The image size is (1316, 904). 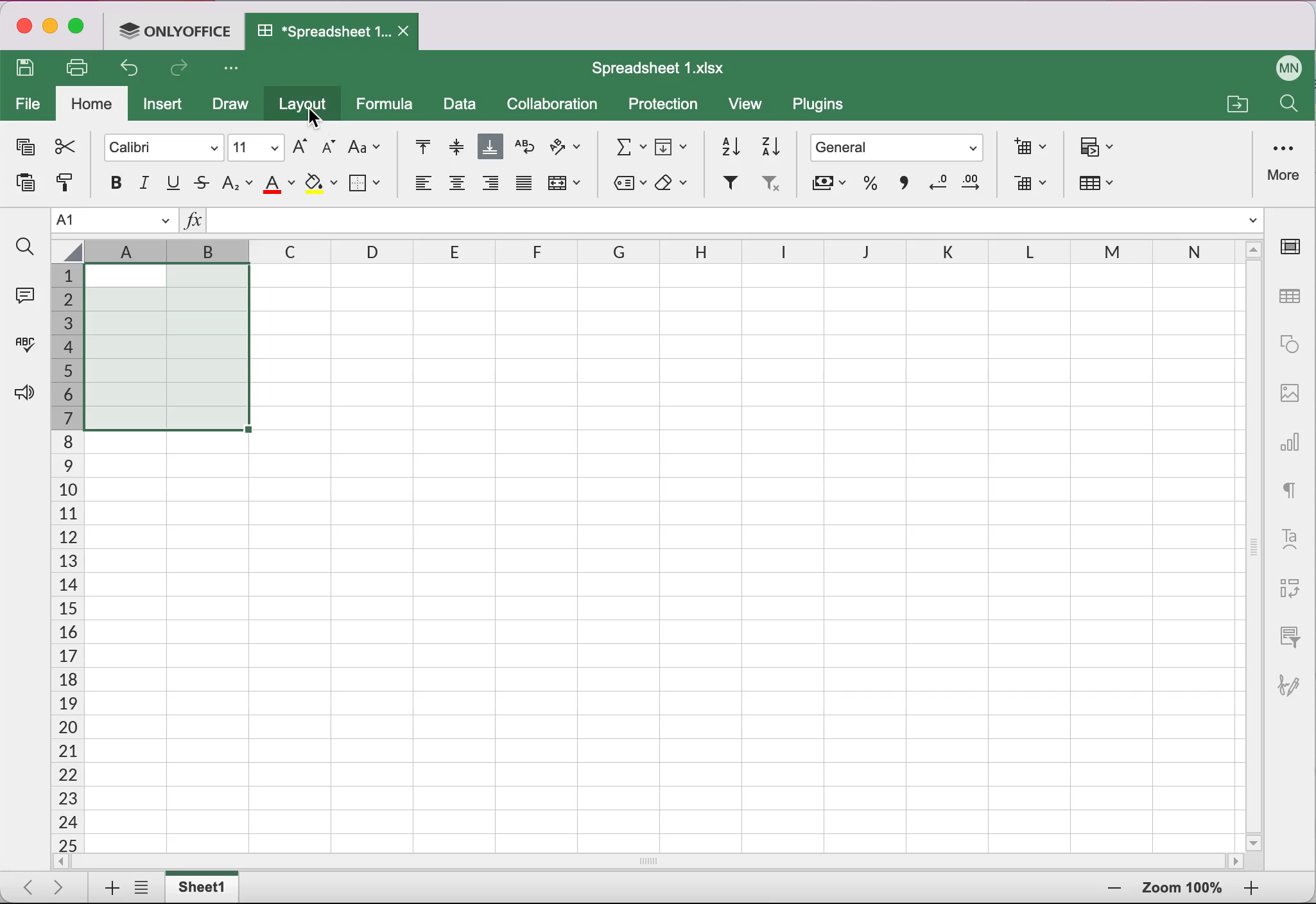 What do you see at coordinates (777, 555) in the screenshot?
I see `cells` at bounding box center [777, 555].